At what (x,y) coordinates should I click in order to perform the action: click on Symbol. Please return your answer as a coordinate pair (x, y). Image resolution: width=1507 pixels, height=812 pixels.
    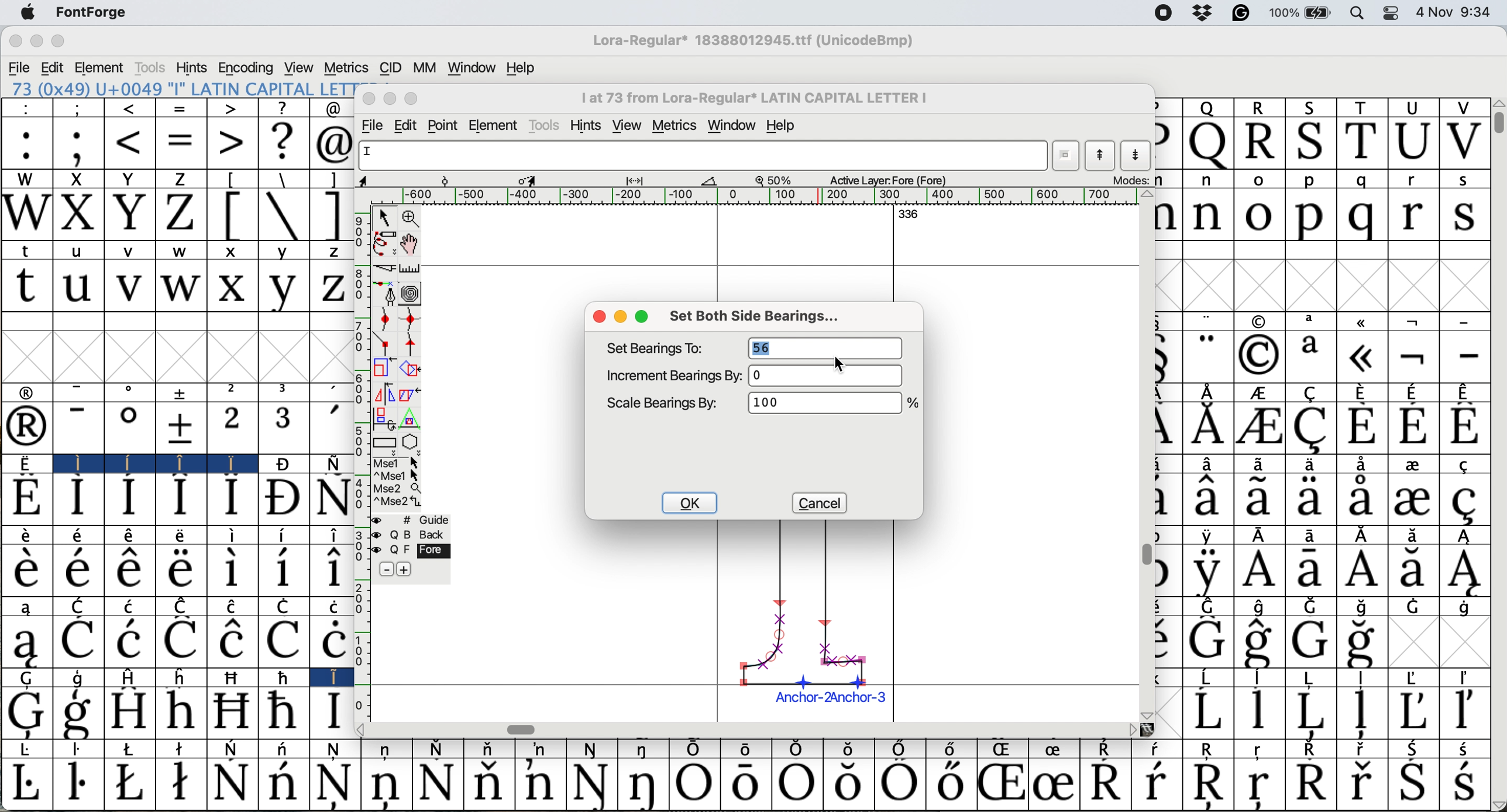
    Looking at the image, I should click on (592, 750).